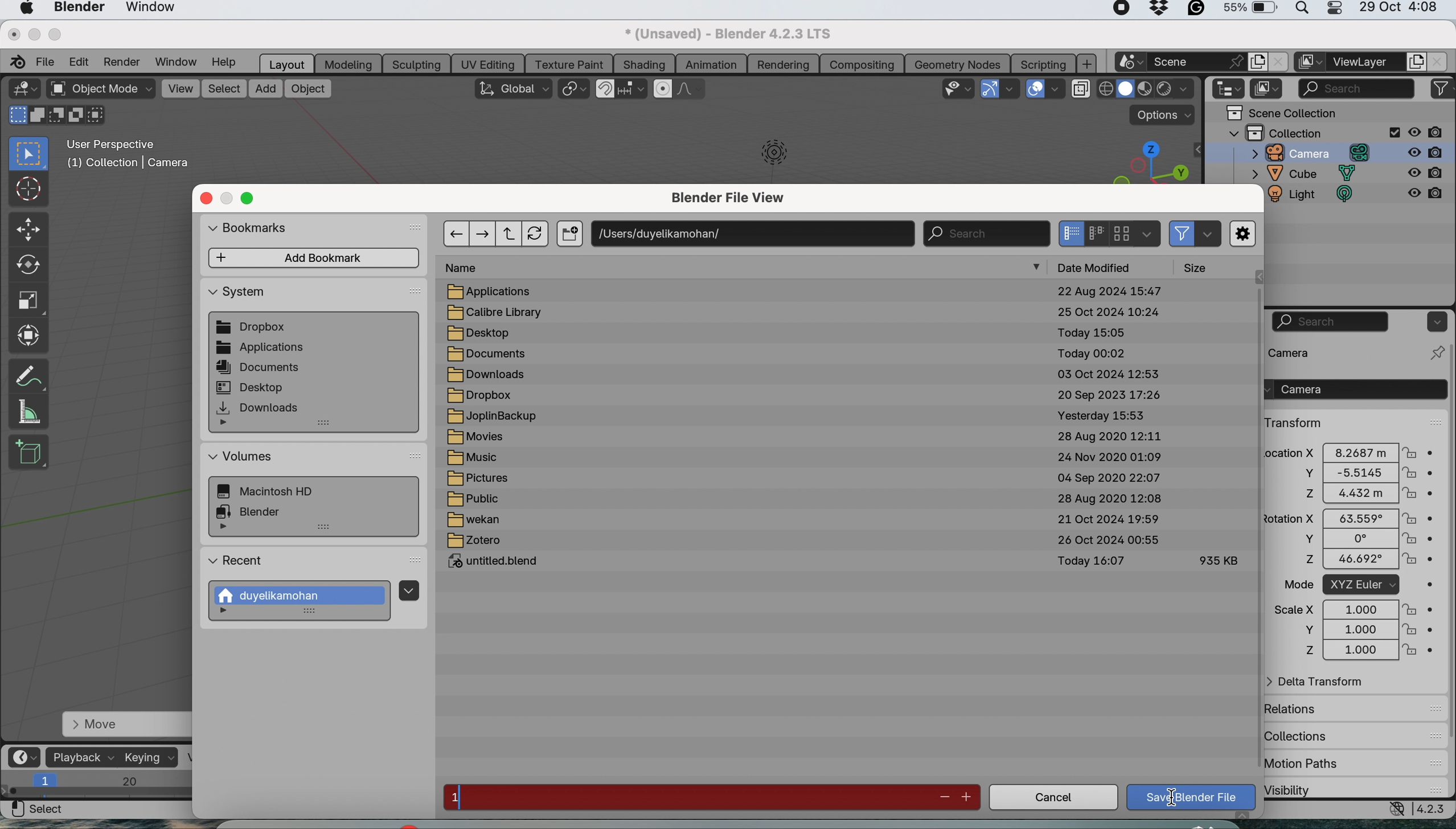 The height and width of the screenshot is (829, 1456). Describe the element at coordinates (1347, 517) in the screenshot. I see `rotation x 63.559` at that location.